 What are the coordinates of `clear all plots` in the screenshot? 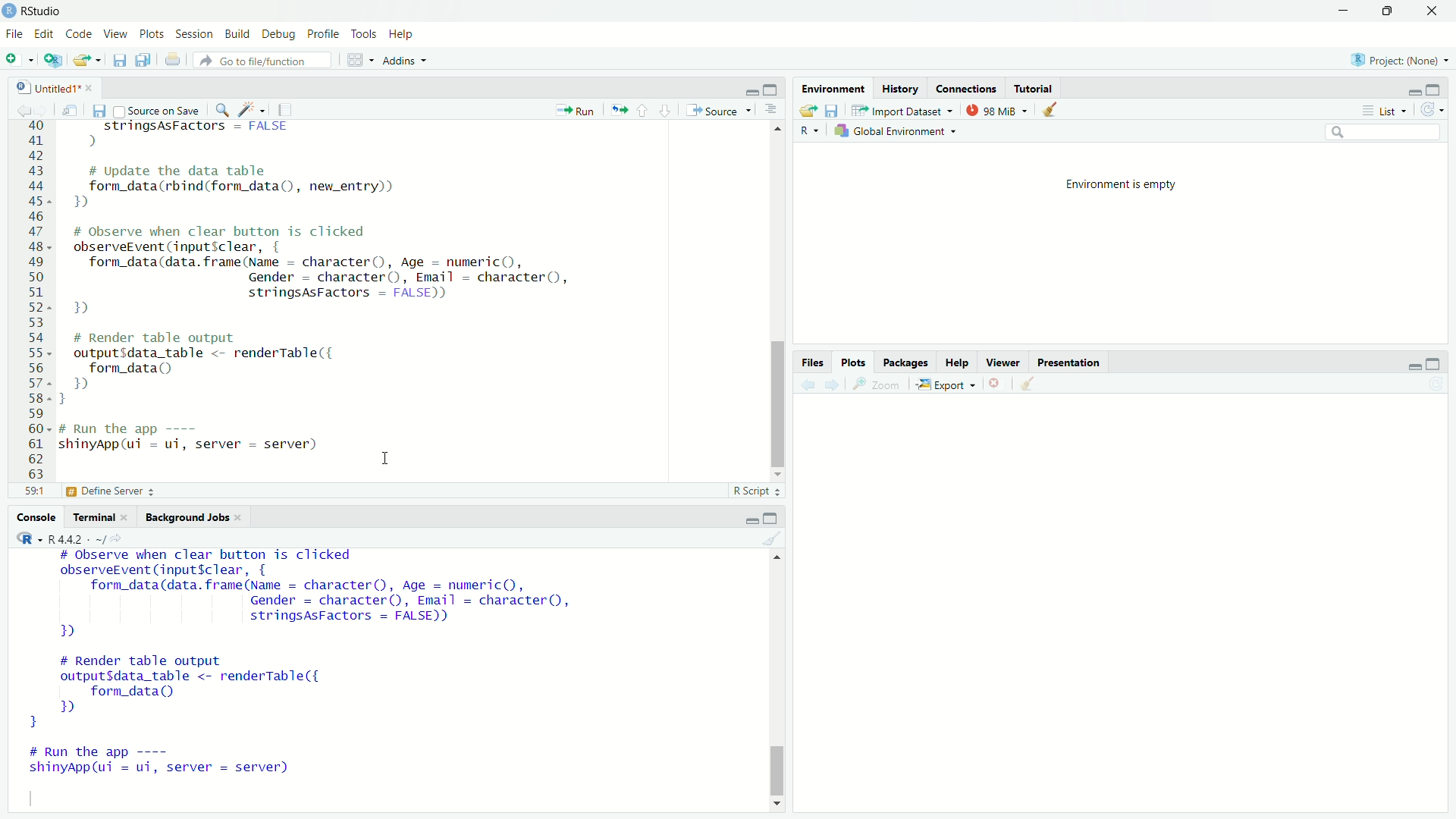 It's located at (1030, 385).